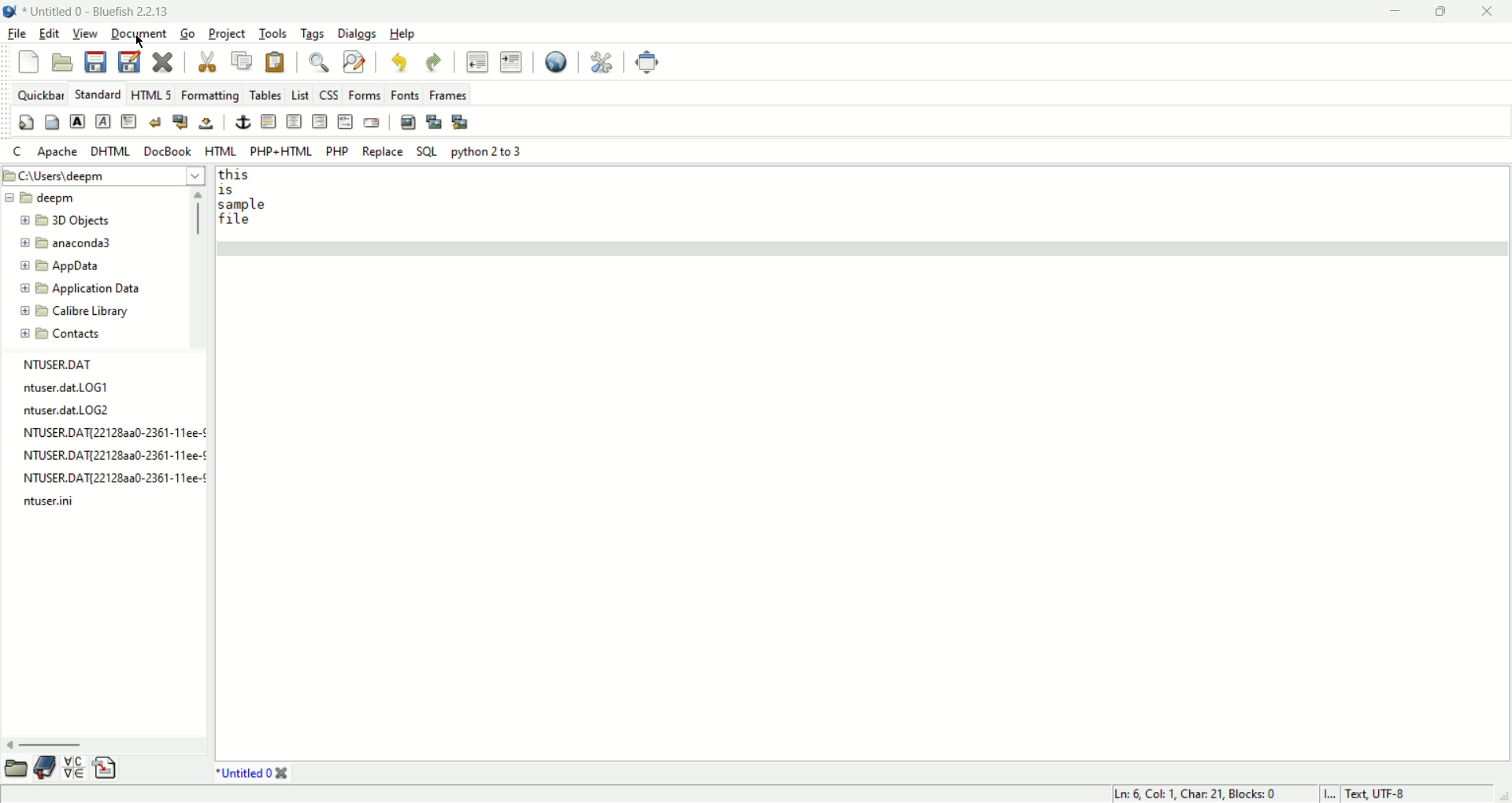 The width and height of the screenshot is (1512, 803). What do you see at coordinates (243, 60) in the screenshot?
I see `copy` at bounding box center [243, 60].